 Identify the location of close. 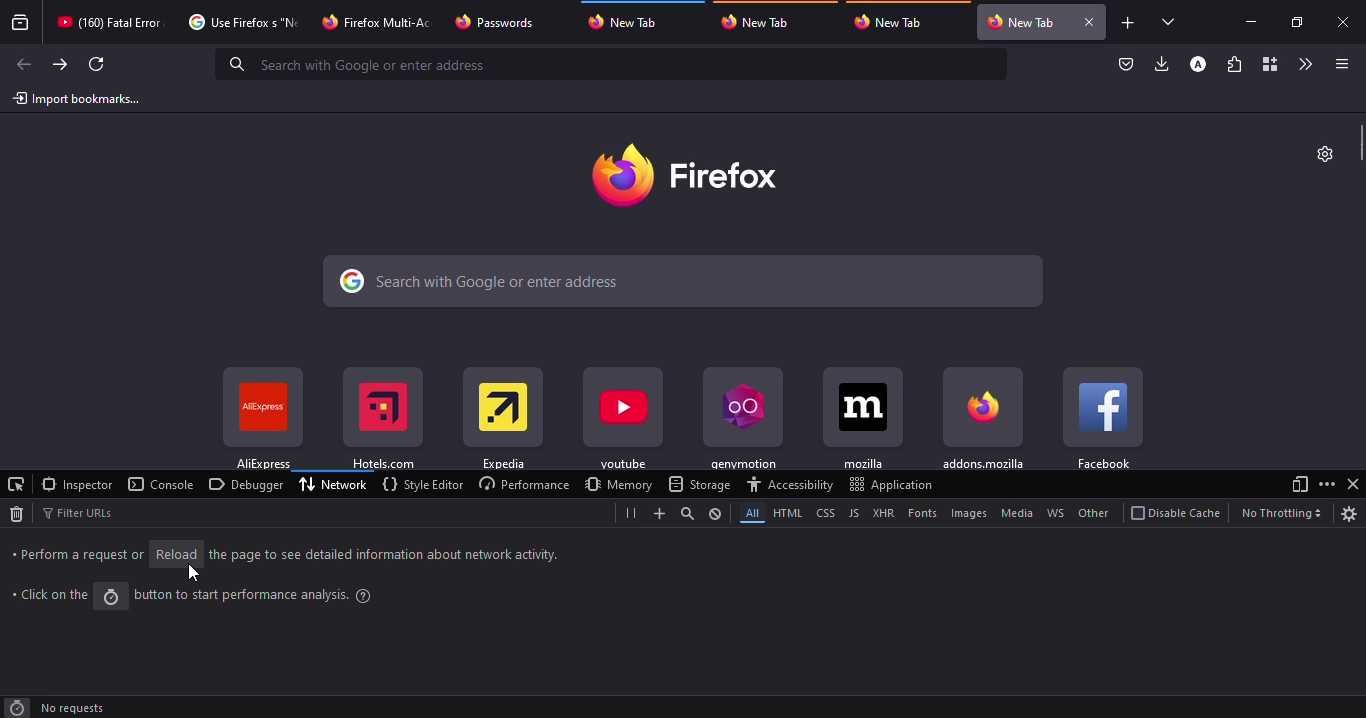
(1090, 21).